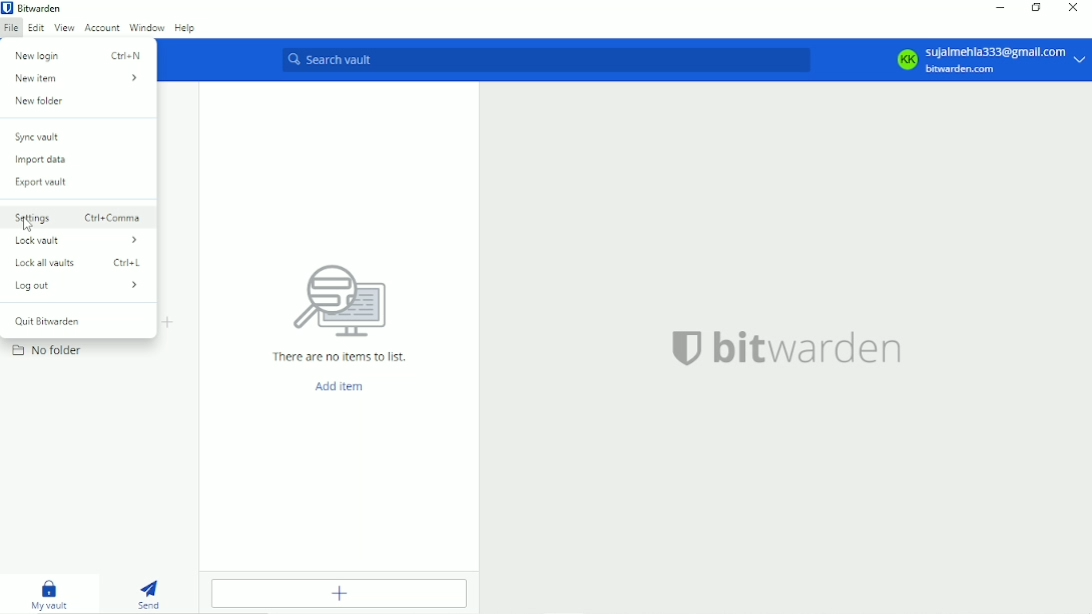  What do you see at coordinates (335, 387) in the screenshot?
I see `Add item` at bounding box center [335, 387].